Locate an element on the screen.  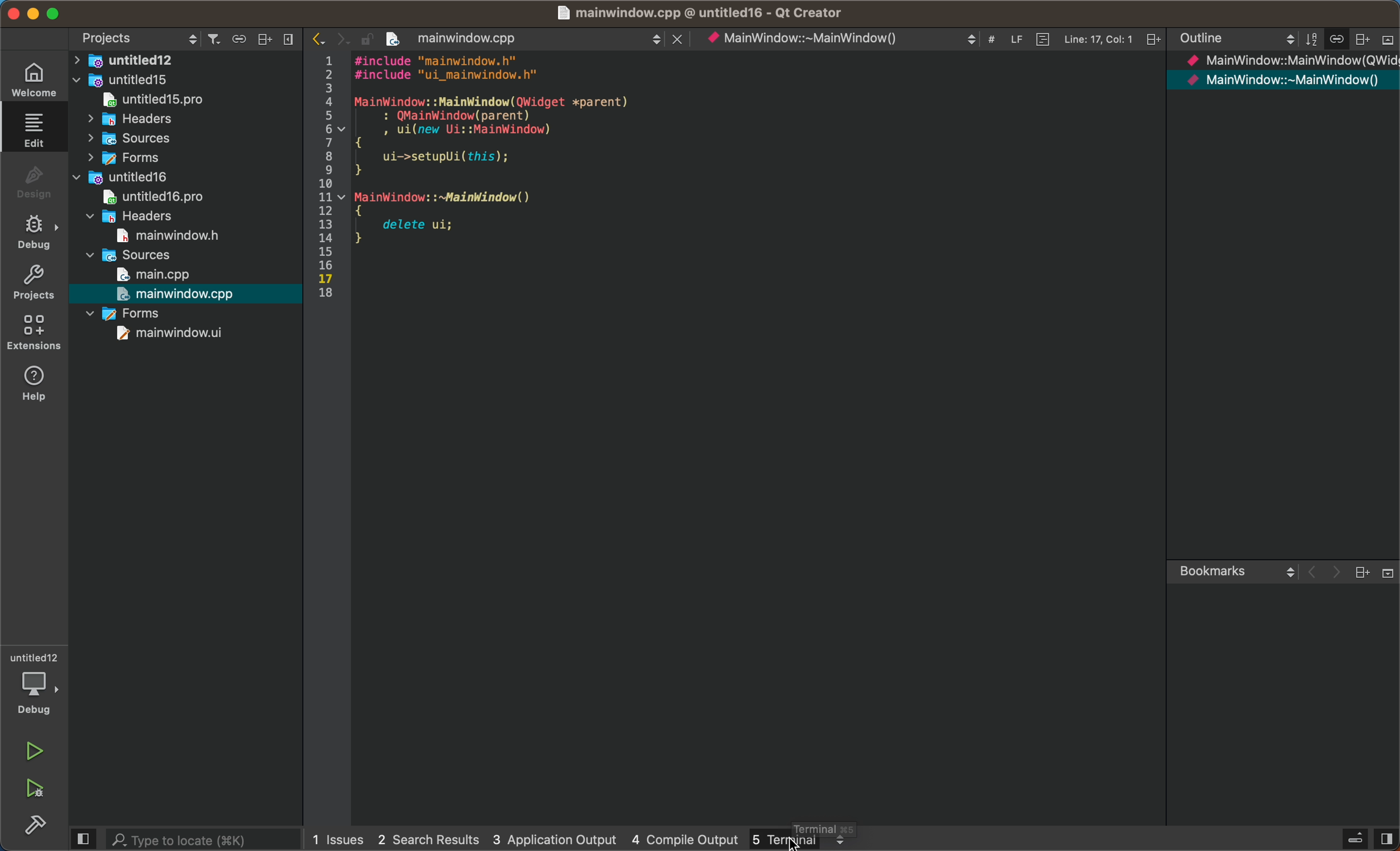
debug is located at coordinates (35, 179).